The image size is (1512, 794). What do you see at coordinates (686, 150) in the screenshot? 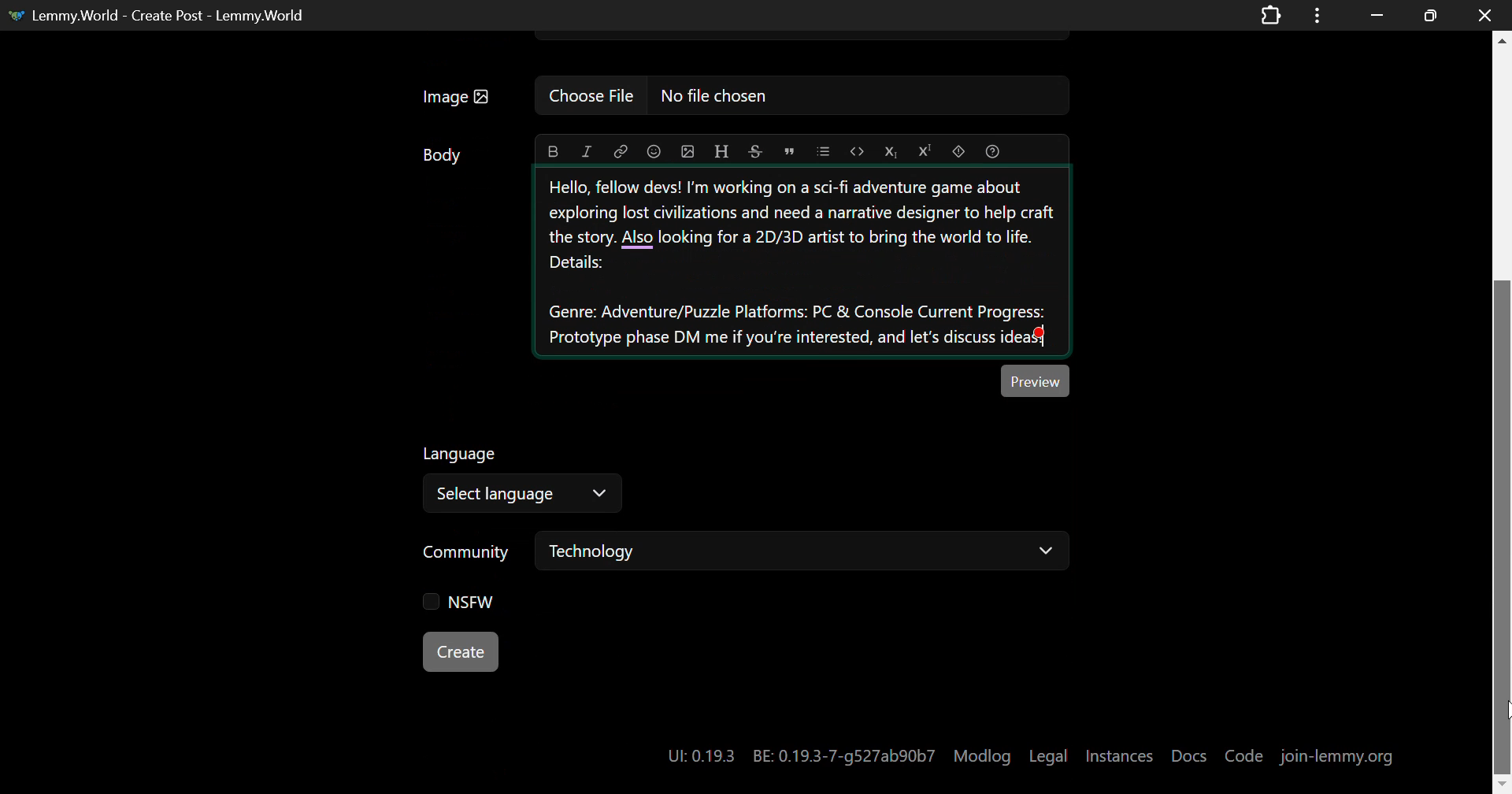
I see `upload image` at bounding box center [686, 150].